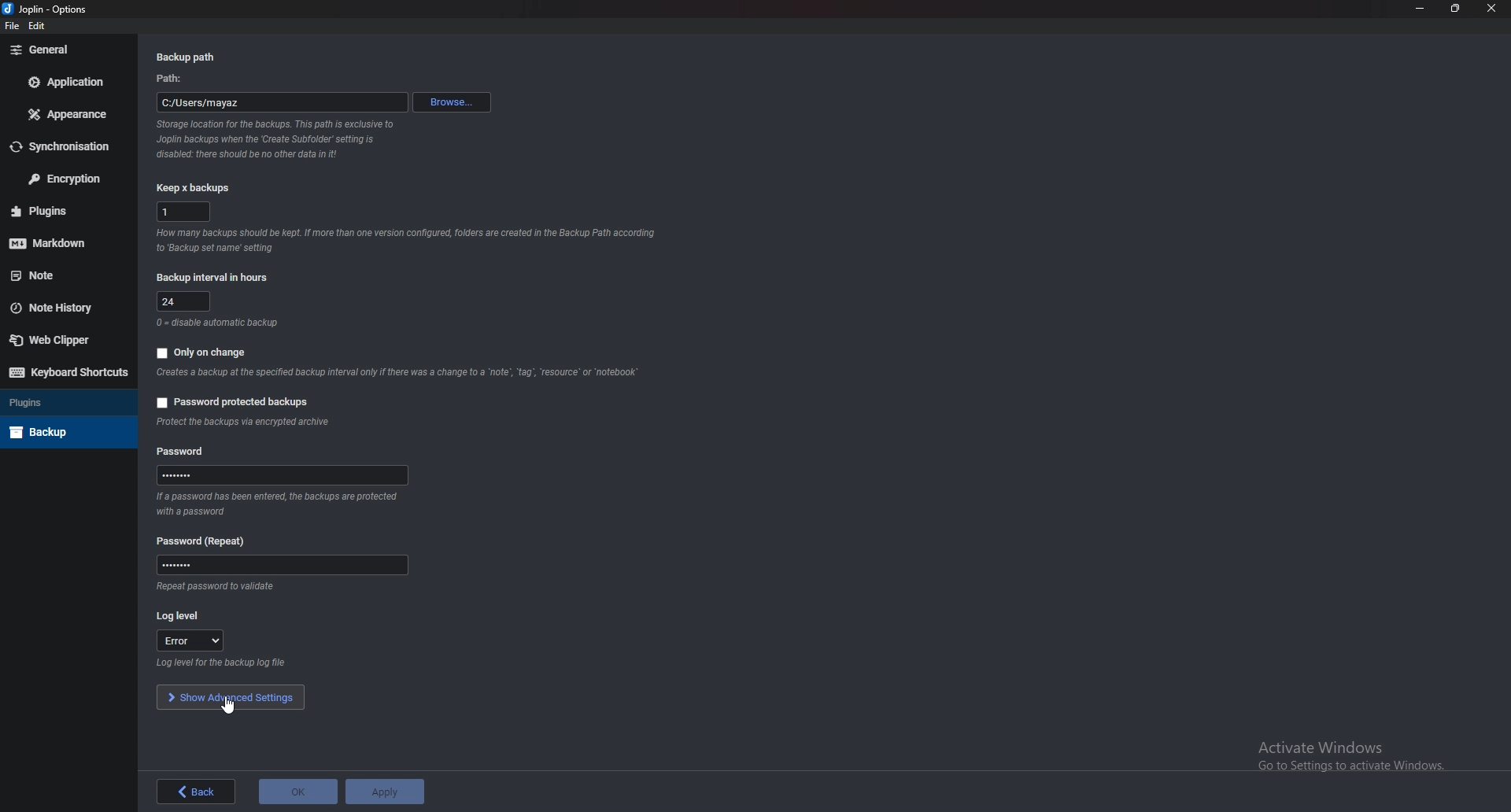 The height and width of the screenshot is (812, 1511). What do you see at coordinates (1491, 9) in the screenshot?
I see `close` at bounding box center [1491, 9].